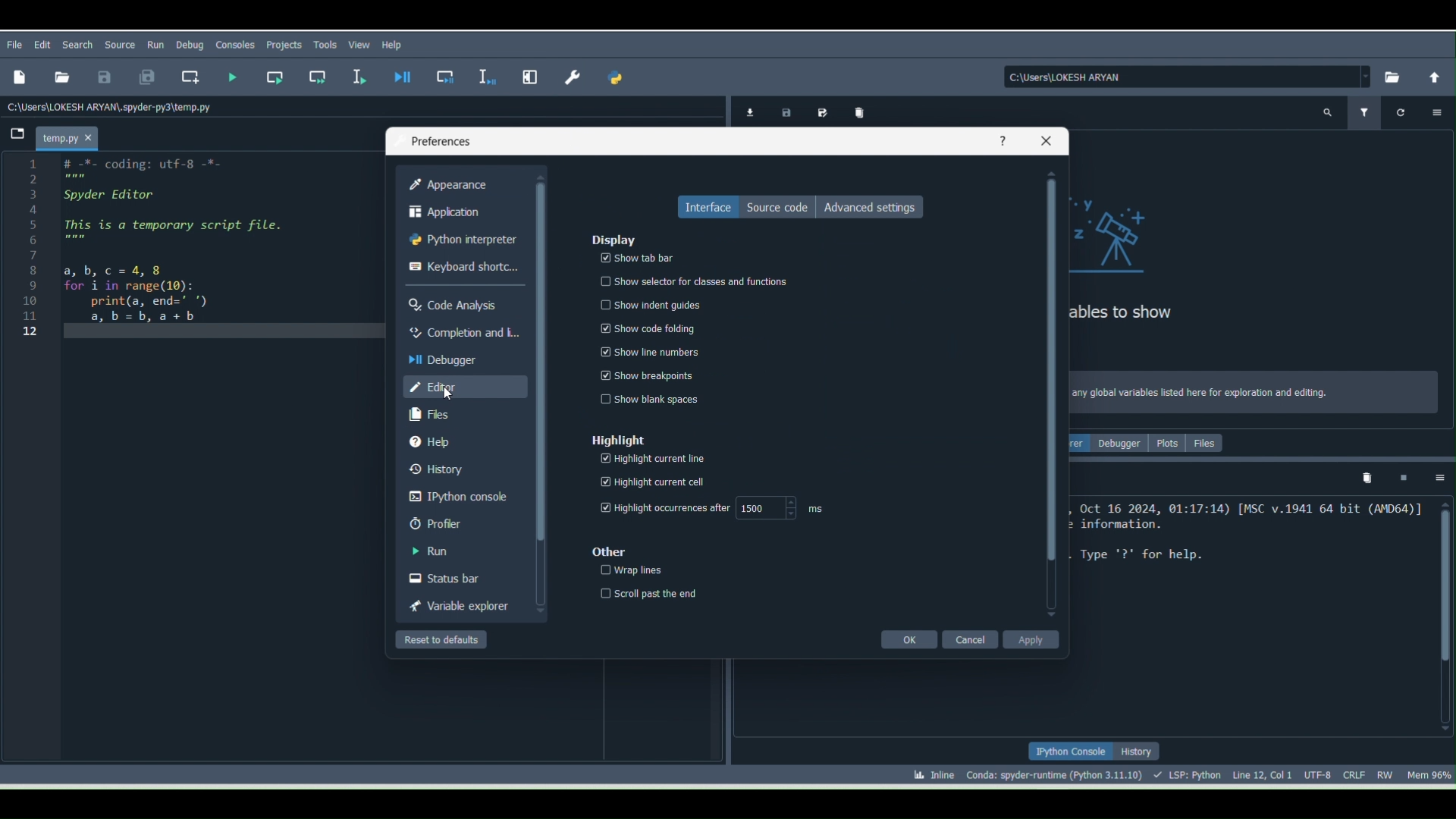  I want to click on Keyboard shortcuts, so click(464, 266).